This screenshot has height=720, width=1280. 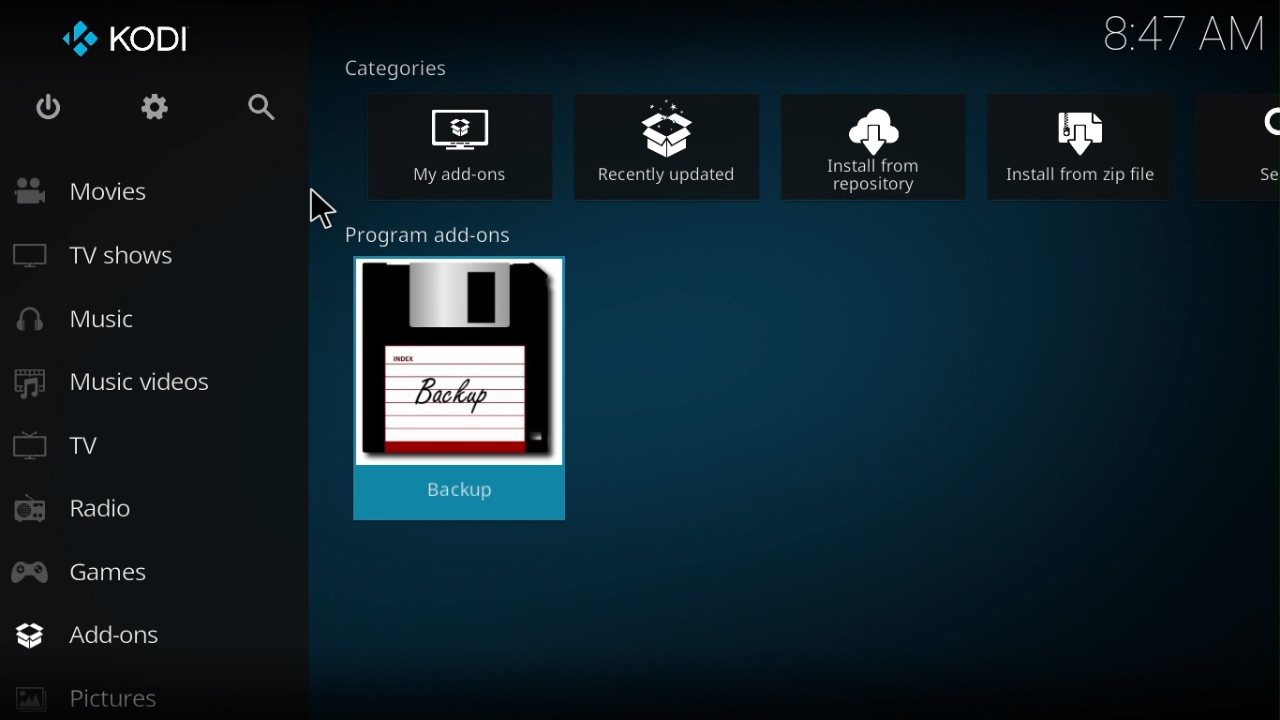 I want to click on add-ons, so click(x=162, y=635).